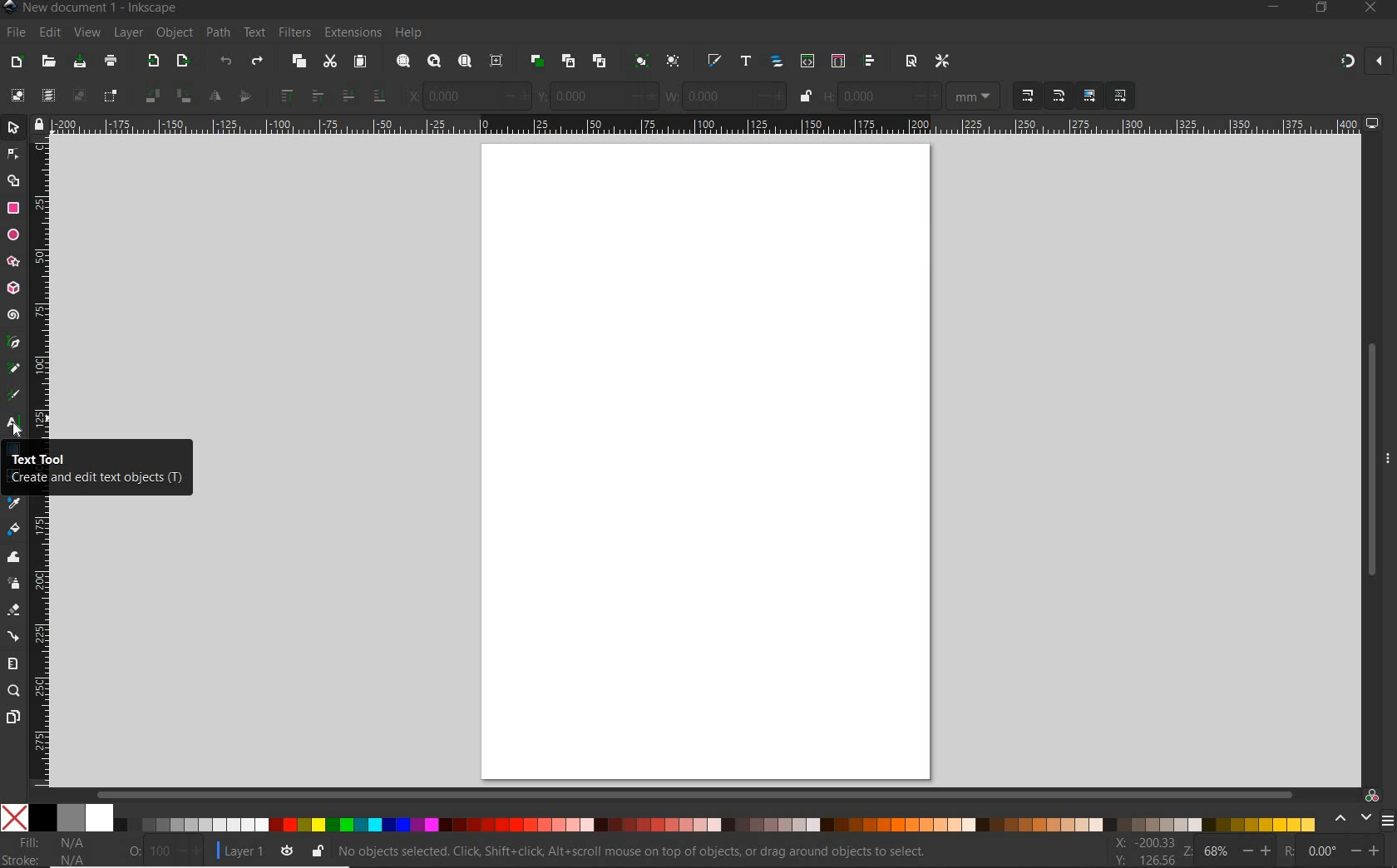 The width and height of the screenshot is (1397, 868). Describe the element at coordinates (239, 848) in the screenshot. I see `layer1` at that location.